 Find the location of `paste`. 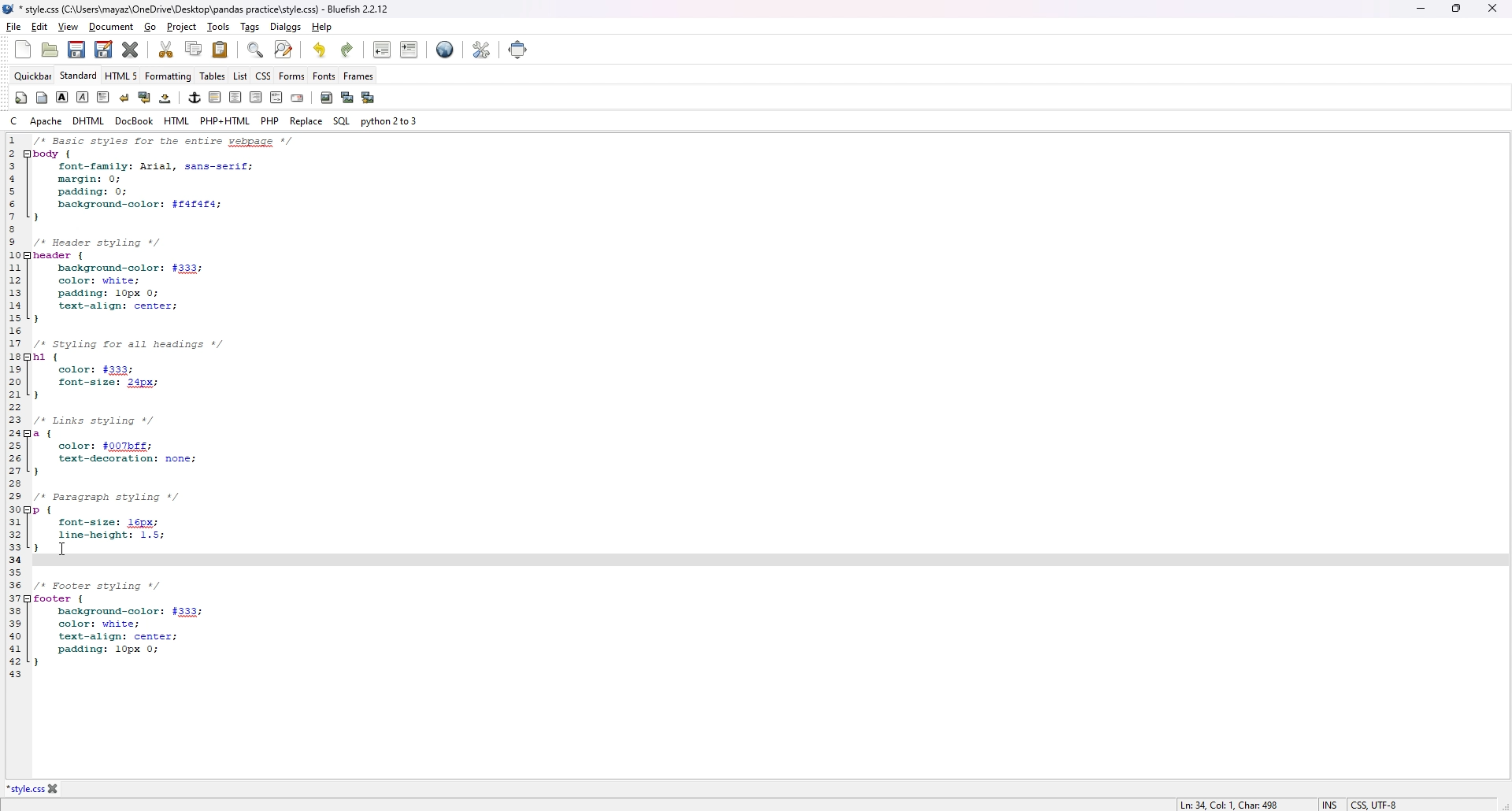

paste is located at coordinates (221, 50).